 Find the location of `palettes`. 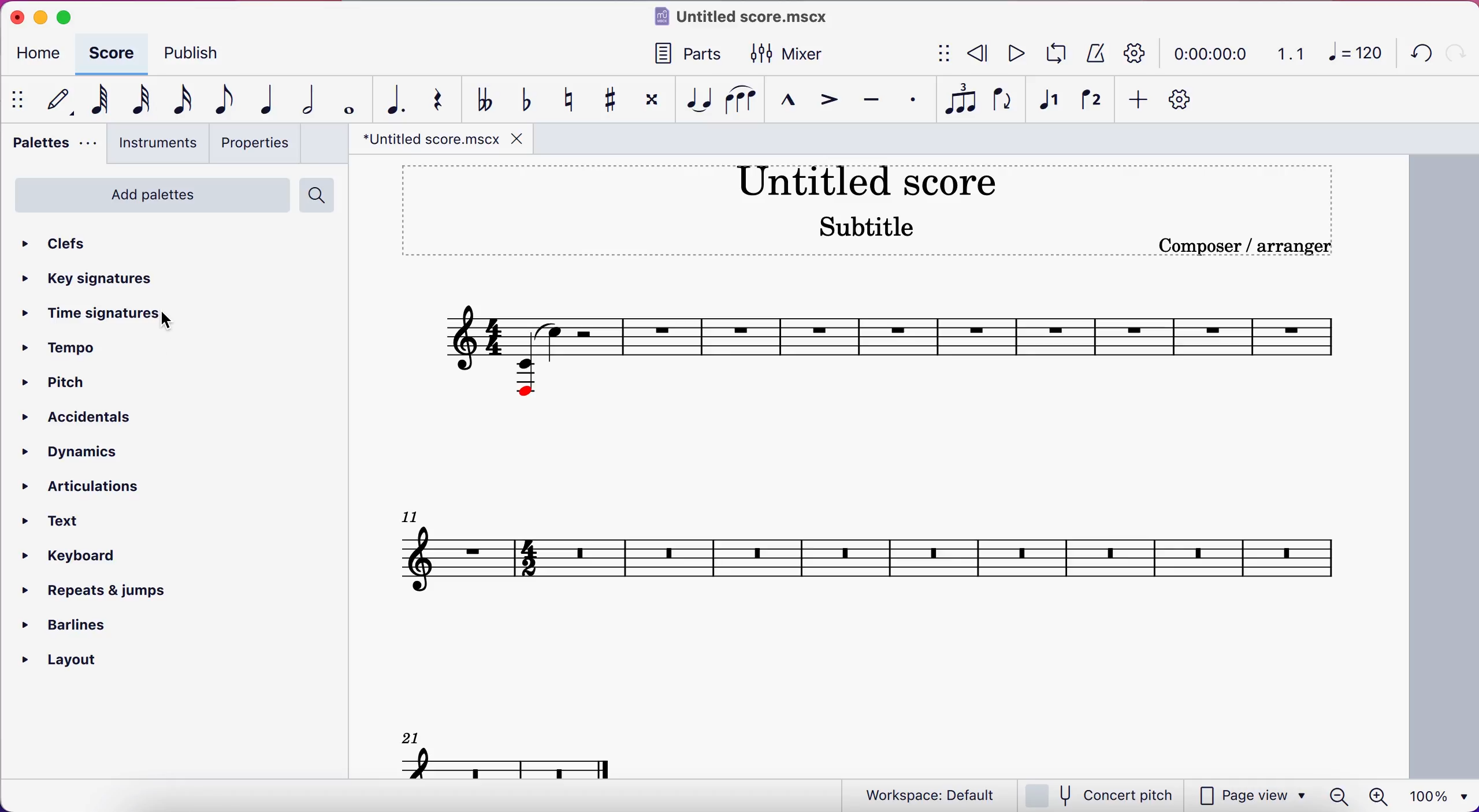

palettes is located at coordinates (51, 146).